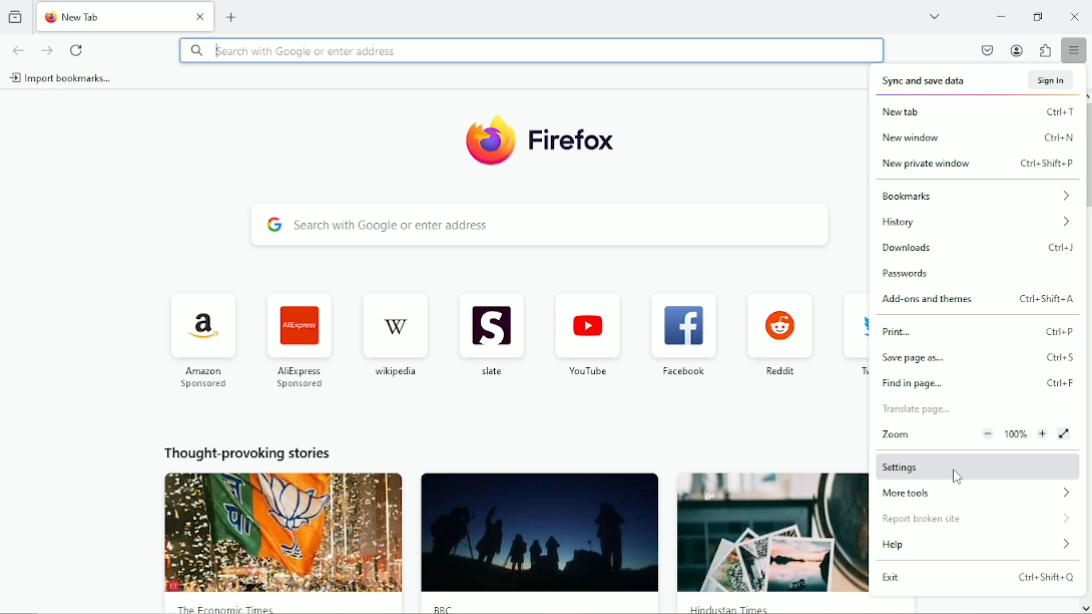 This screenshot has width=1092, height=614. What do you see at coordinates (489, 141) in the screenshot?
I see `logo` at bounding box center [489, 141].